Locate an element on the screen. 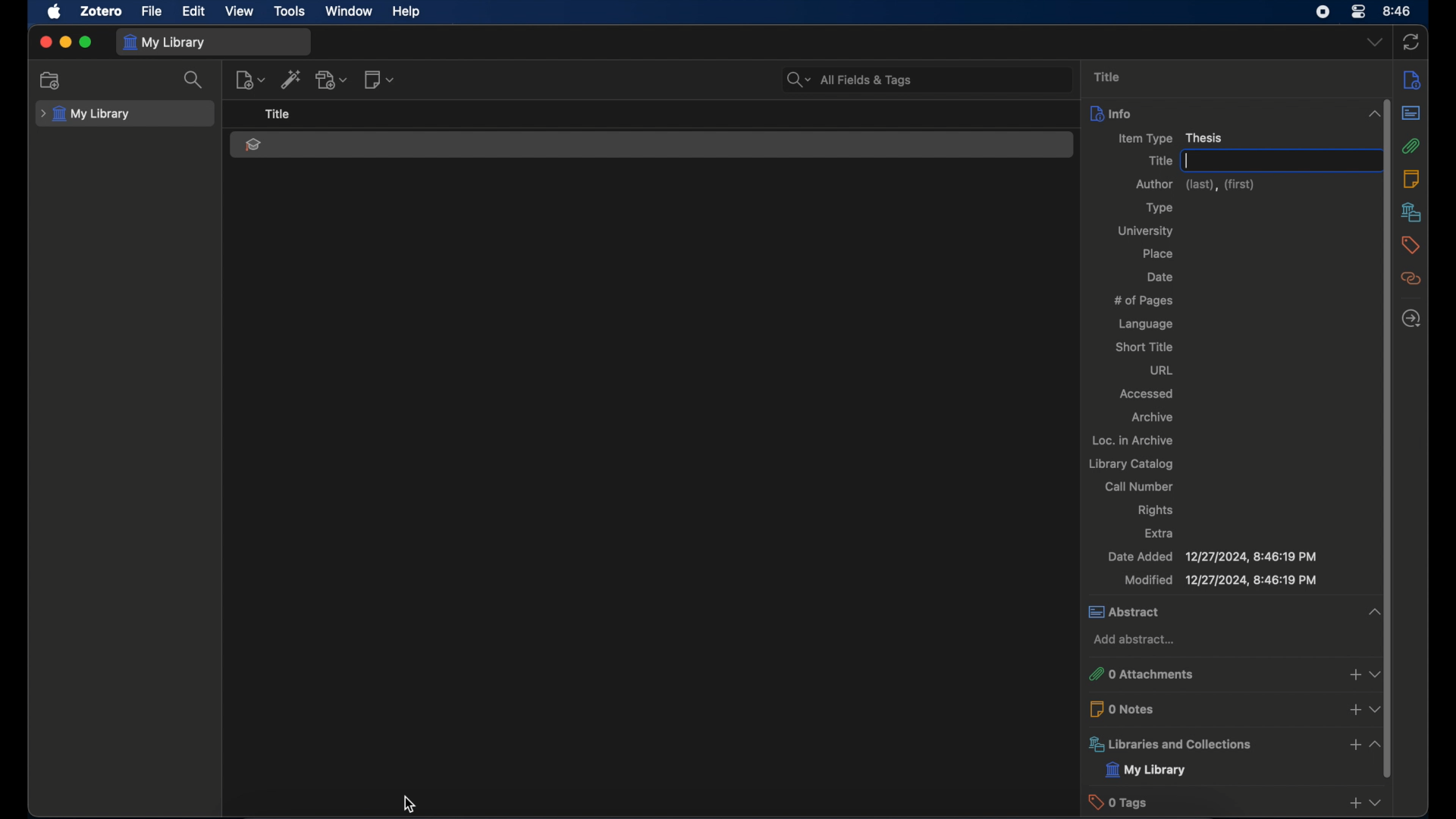 The image size is (1456, 819). archive is located at coordinates (1154, 417).